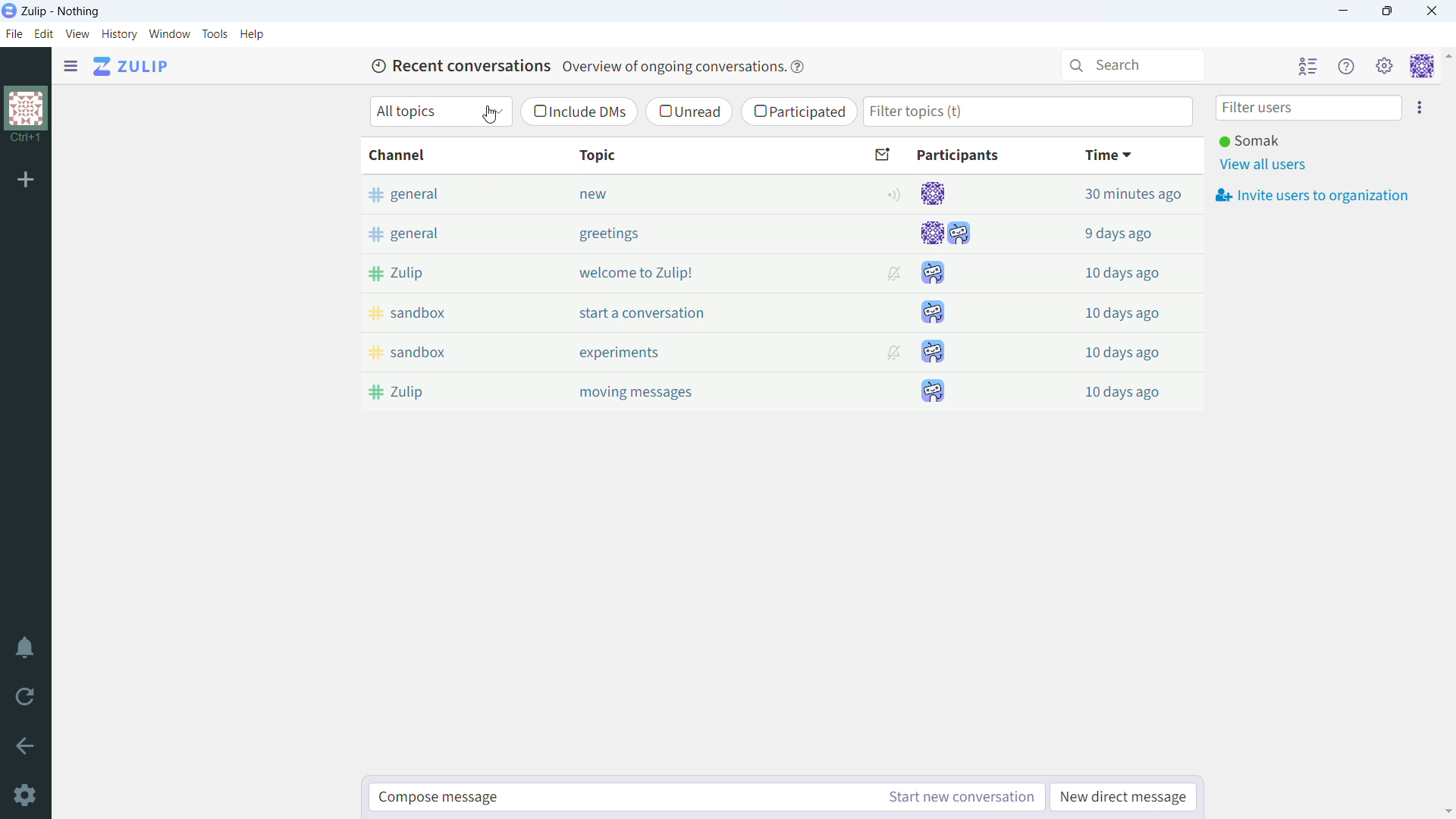  I want to click on minimize, so click(1344, 11).